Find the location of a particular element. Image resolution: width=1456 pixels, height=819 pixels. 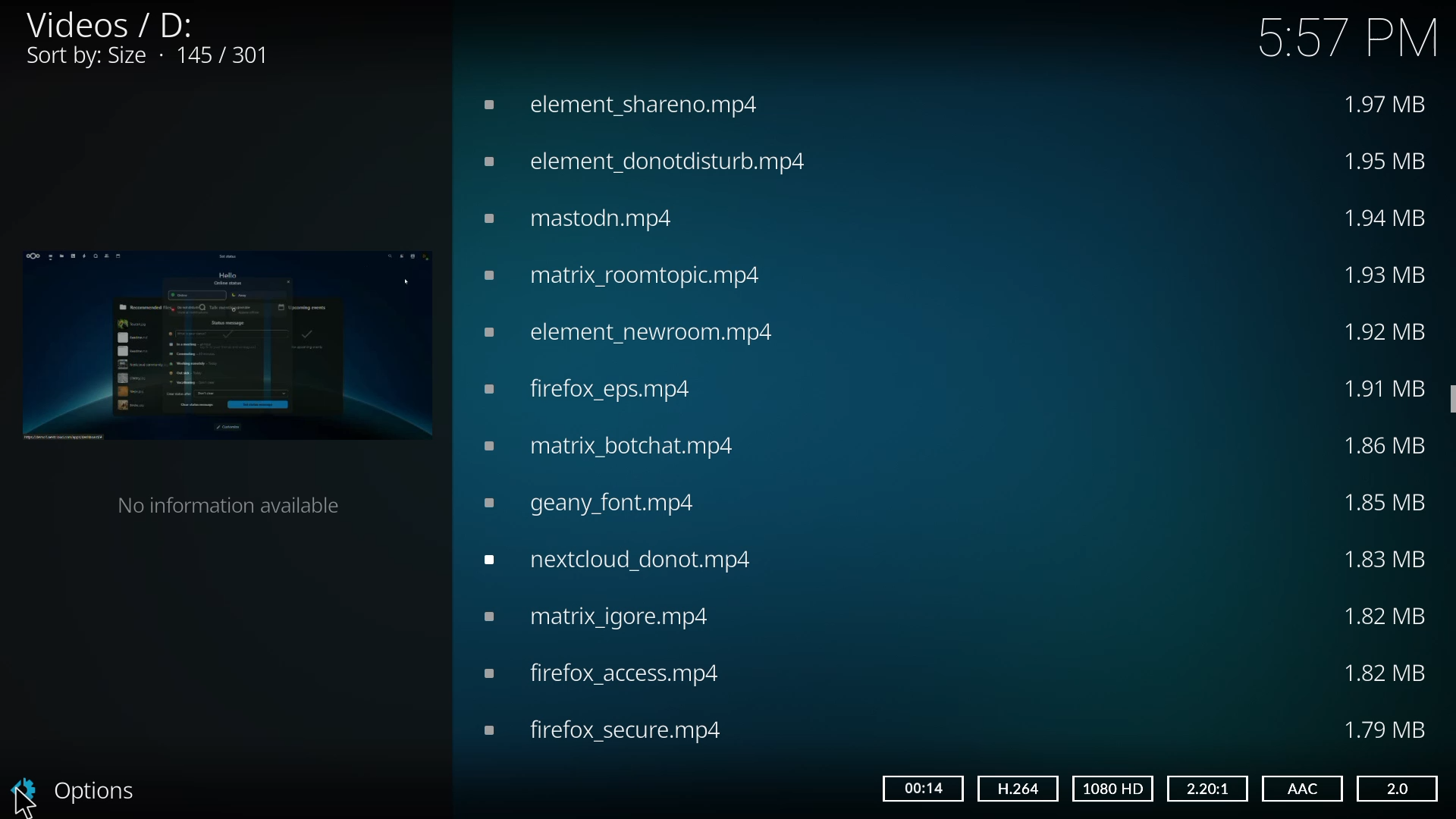

2 is located at coordinates (1395, 788).